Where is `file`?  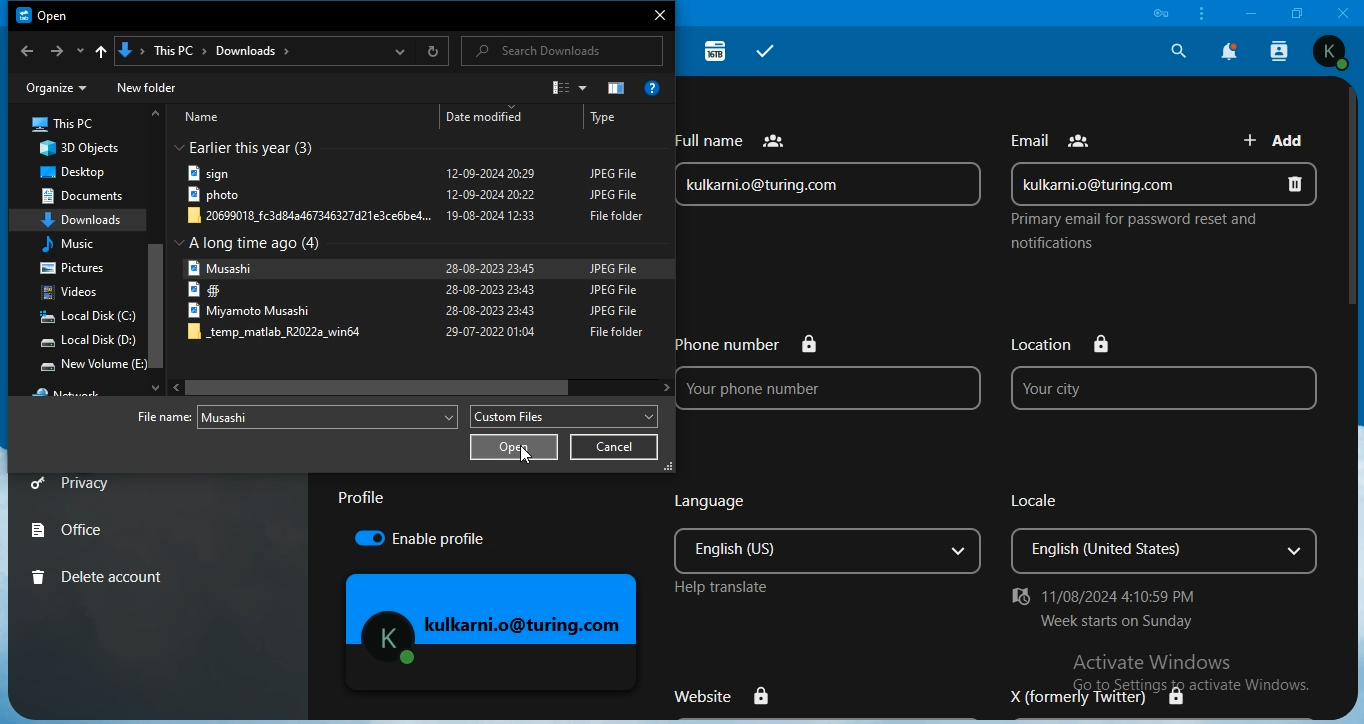
file is located at coordinates (413, 175).